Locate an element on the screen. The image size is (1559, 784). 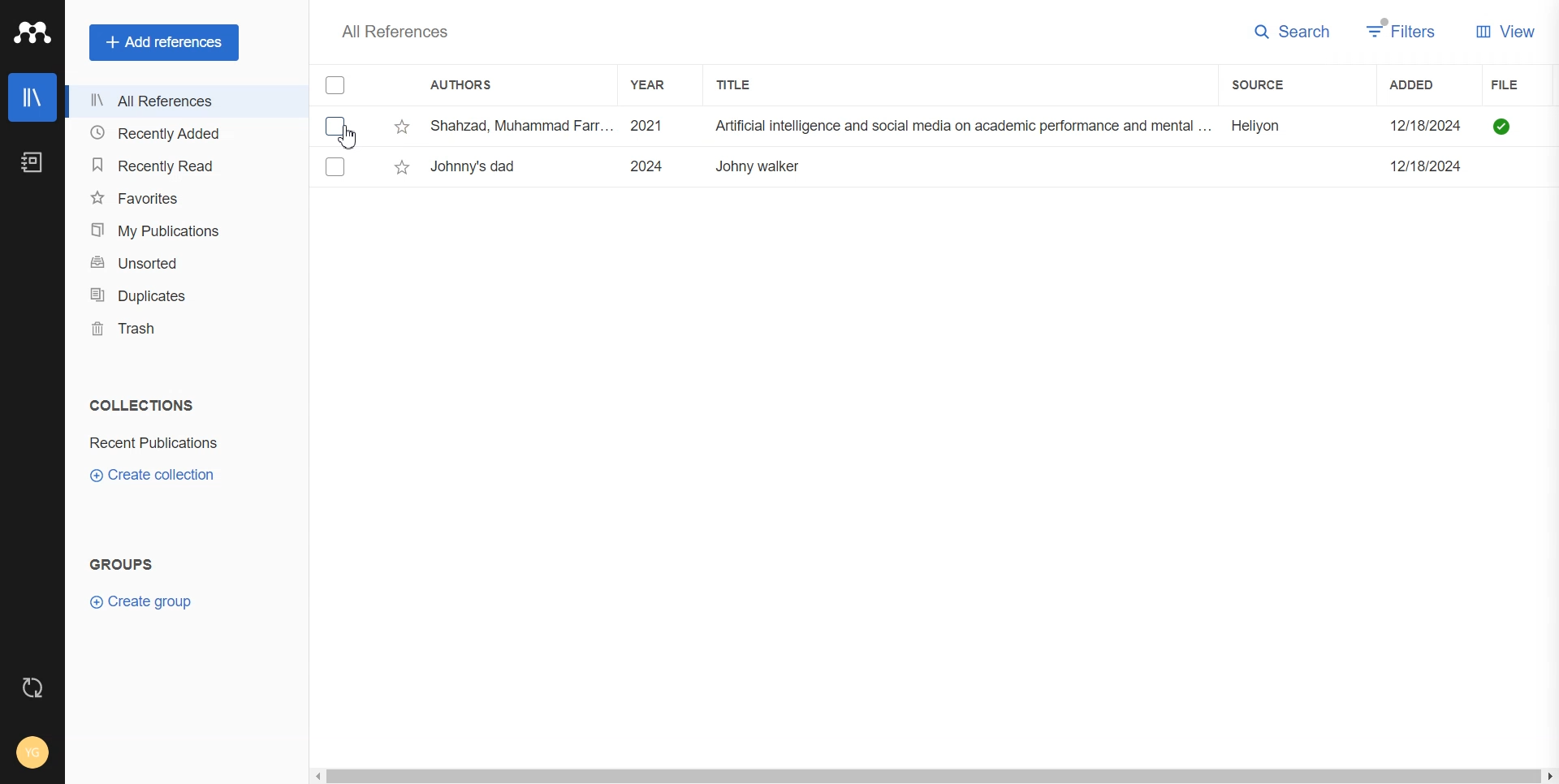
Duplicates is located at coordinates (181, 295).